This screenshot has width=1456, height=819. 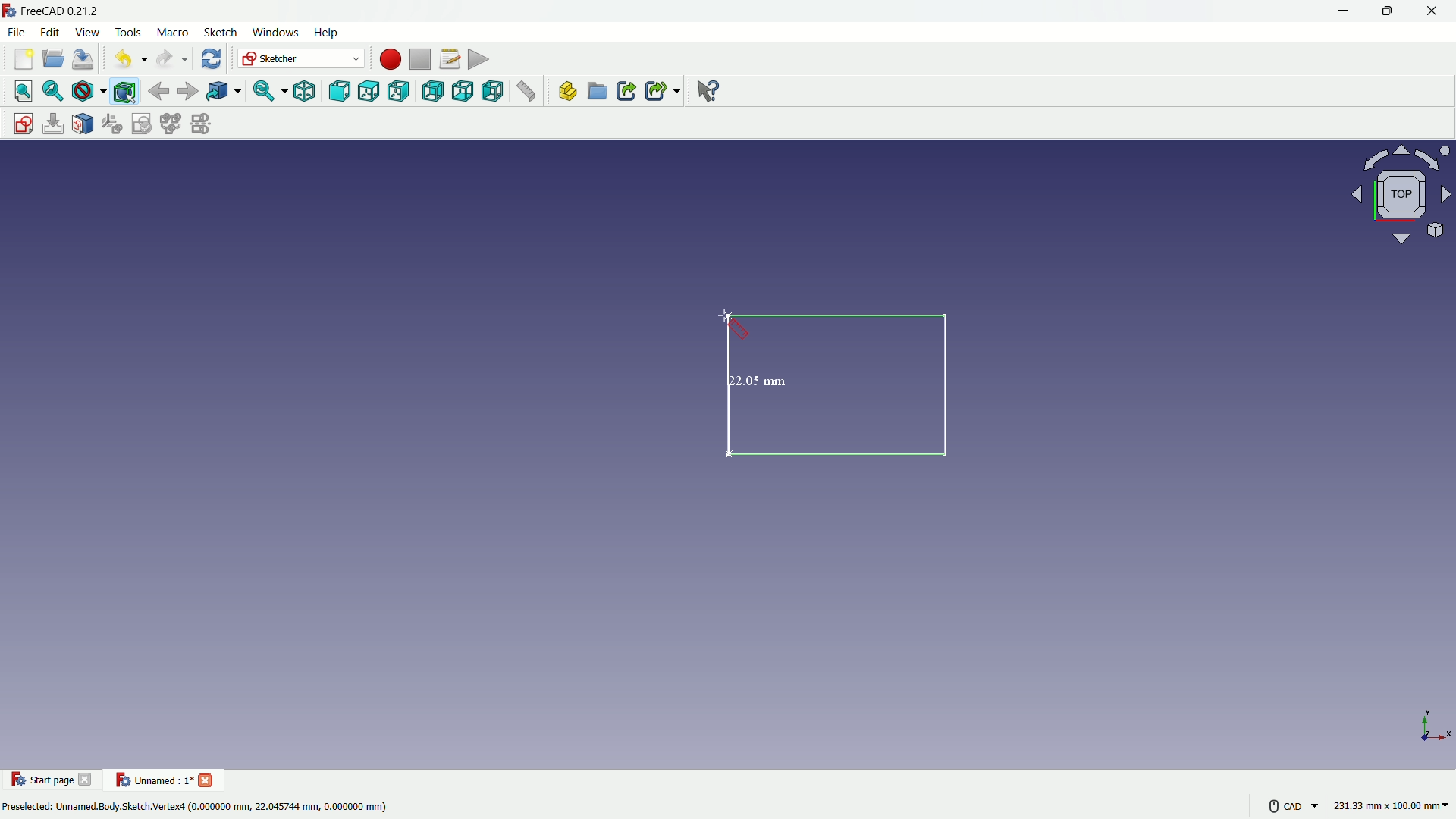 I want to click on current project name, so click(x=152, y=780).